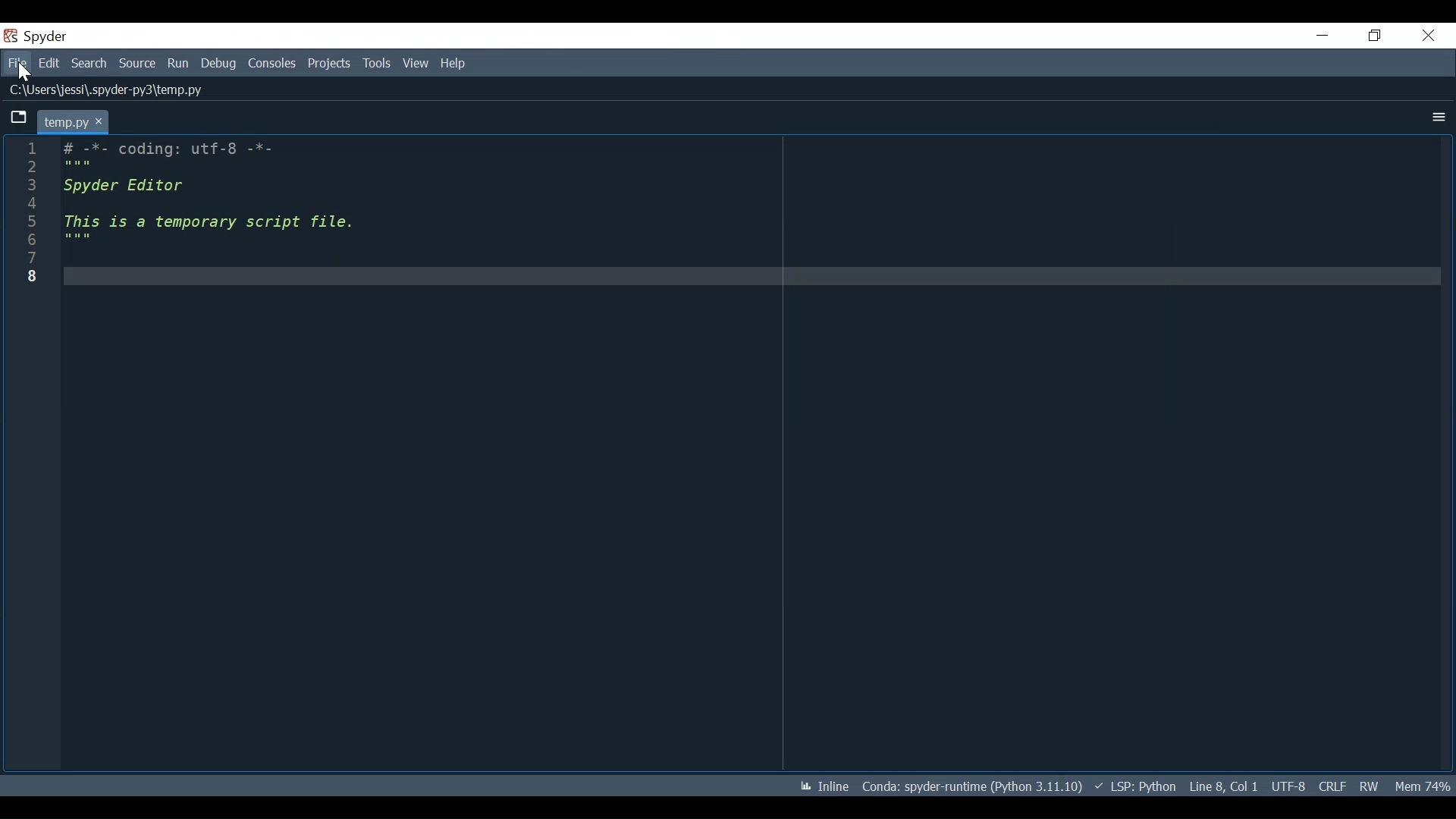 The width and height of the screenshot is (1456, 819). I want to click on UTF-8, so click(1287, 784).